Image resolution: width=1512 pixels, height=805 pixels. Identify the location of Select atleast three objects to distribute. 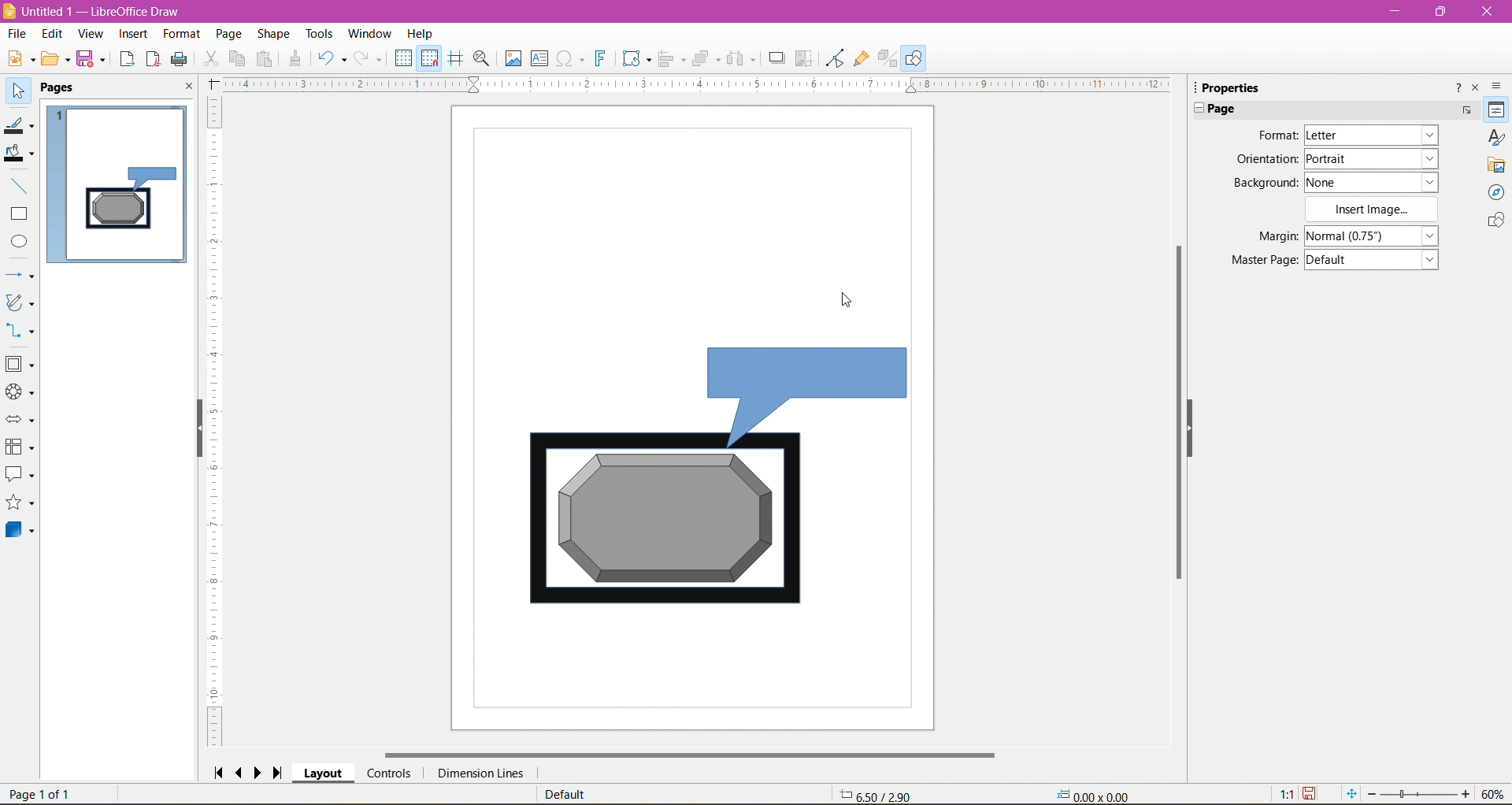
(741, 58).